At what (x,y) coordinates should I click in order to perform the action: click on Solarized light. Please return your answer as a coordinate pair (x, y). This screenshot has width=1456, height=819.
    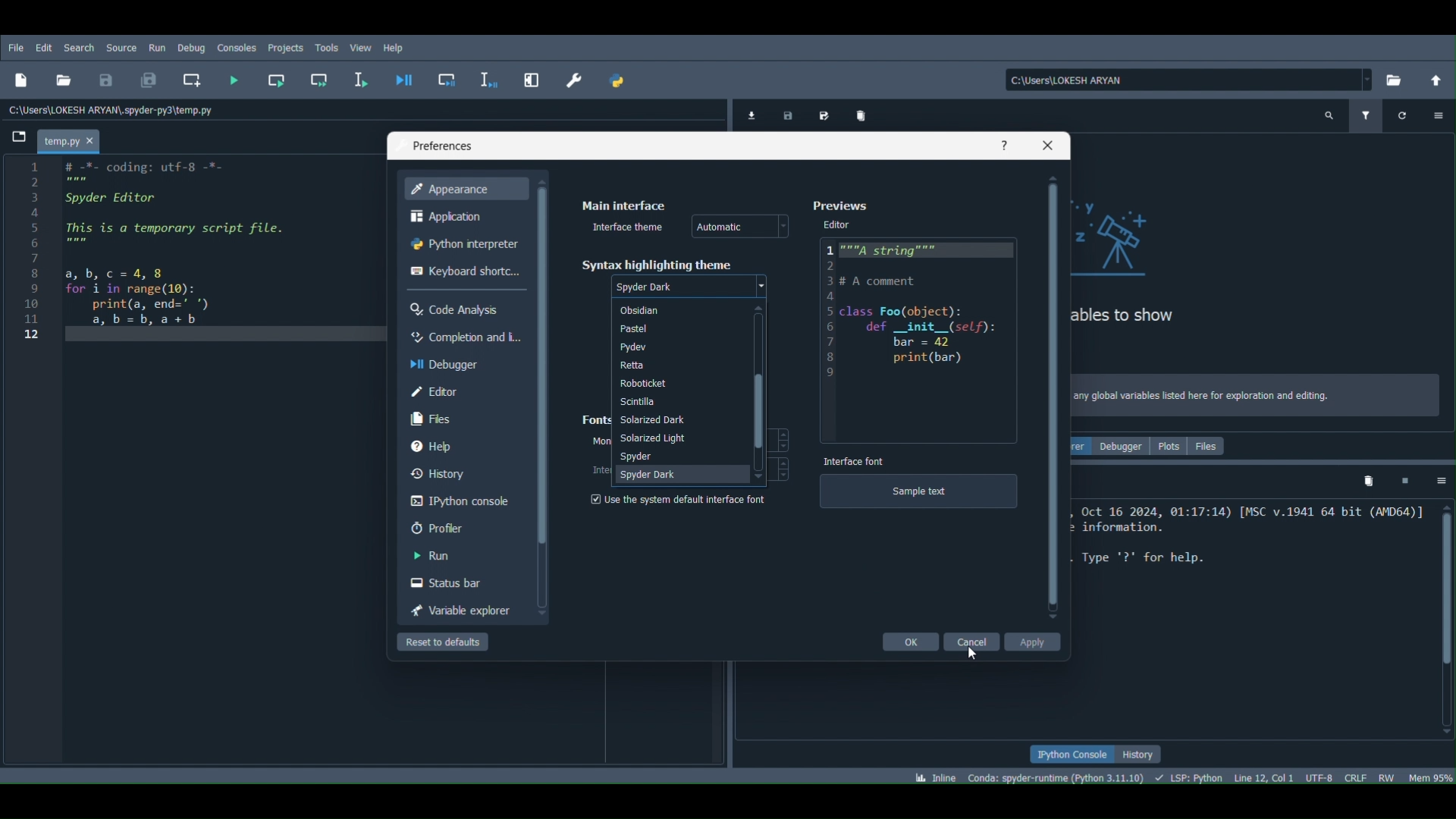
    Looking at the image, I should click on (680, 438).